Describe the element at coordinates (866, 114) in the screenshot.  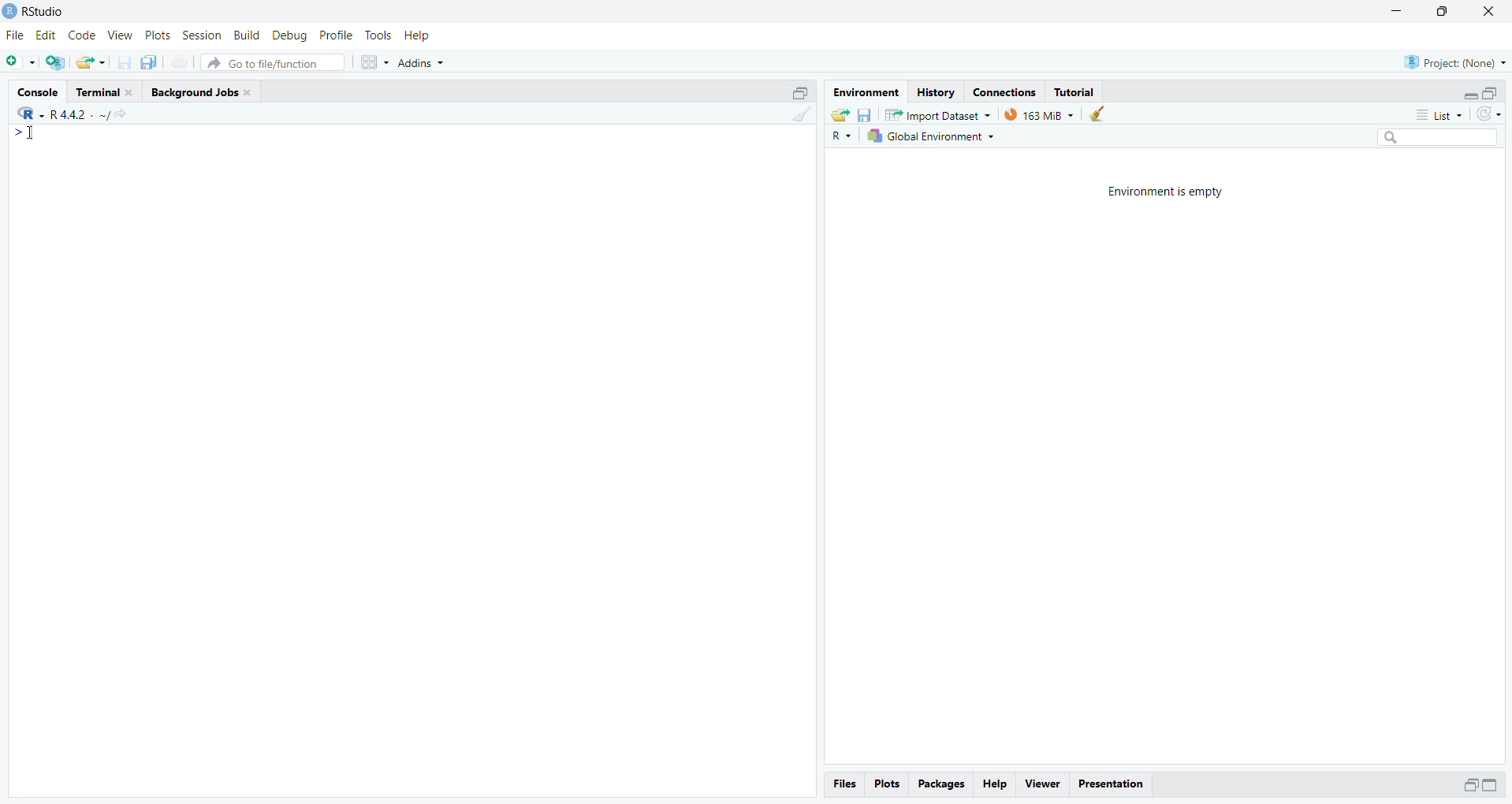
I see `save` at that location.